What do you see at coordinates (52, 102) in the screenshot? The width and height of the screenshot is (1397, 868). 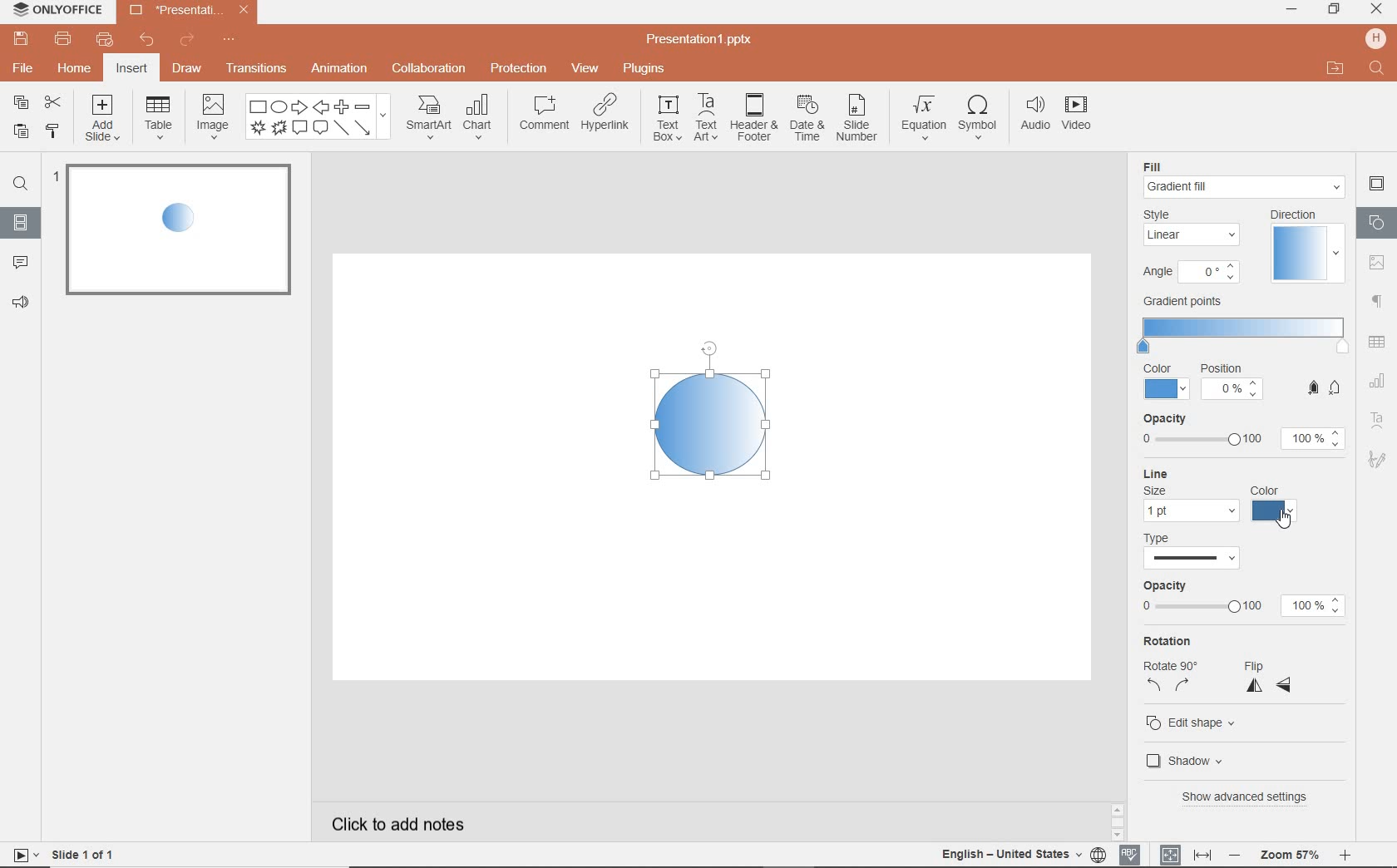 I see `cut` at bounding box center [52, 102].